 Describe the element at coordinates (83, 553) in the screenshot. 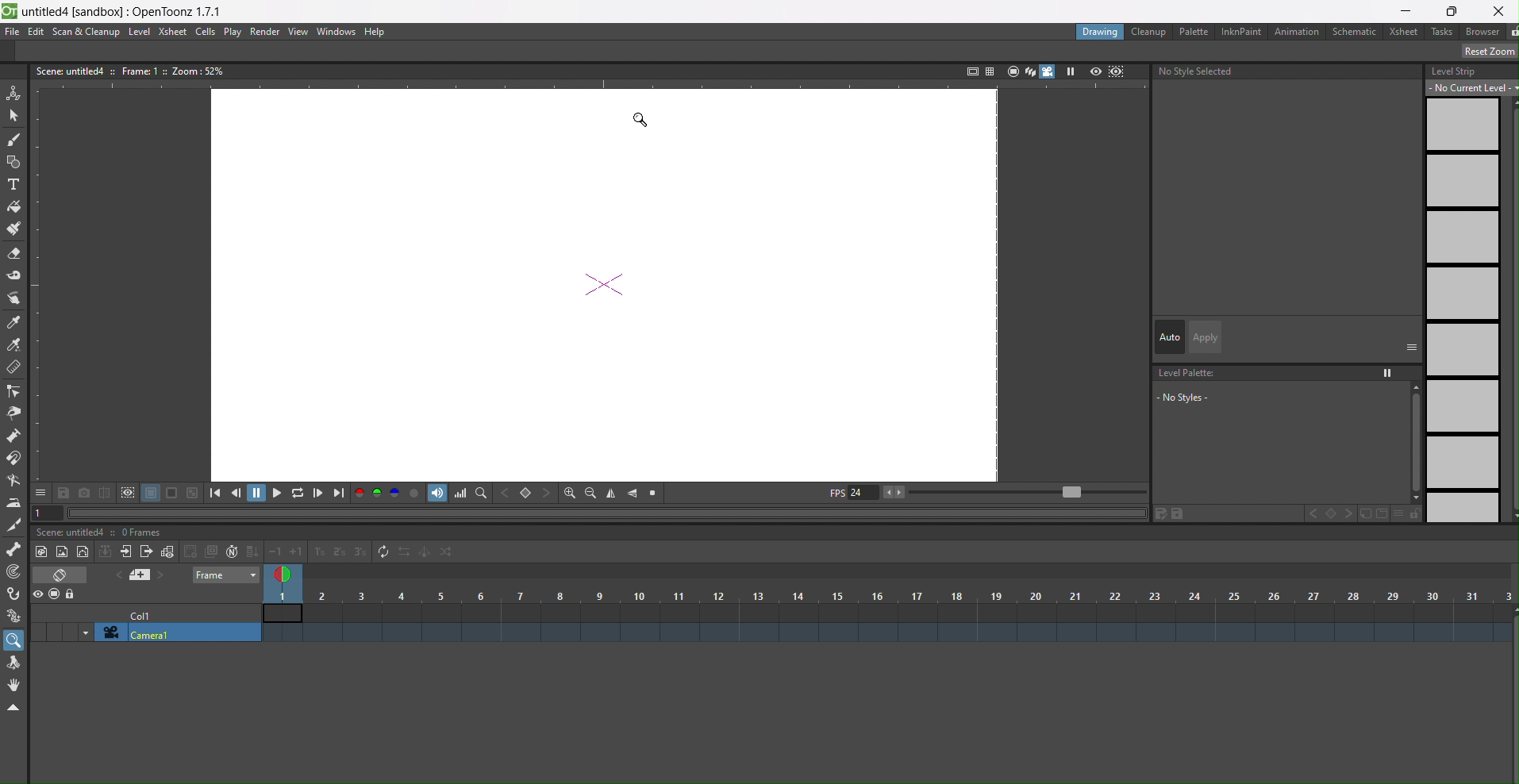

I see `new toonz level` at that location.